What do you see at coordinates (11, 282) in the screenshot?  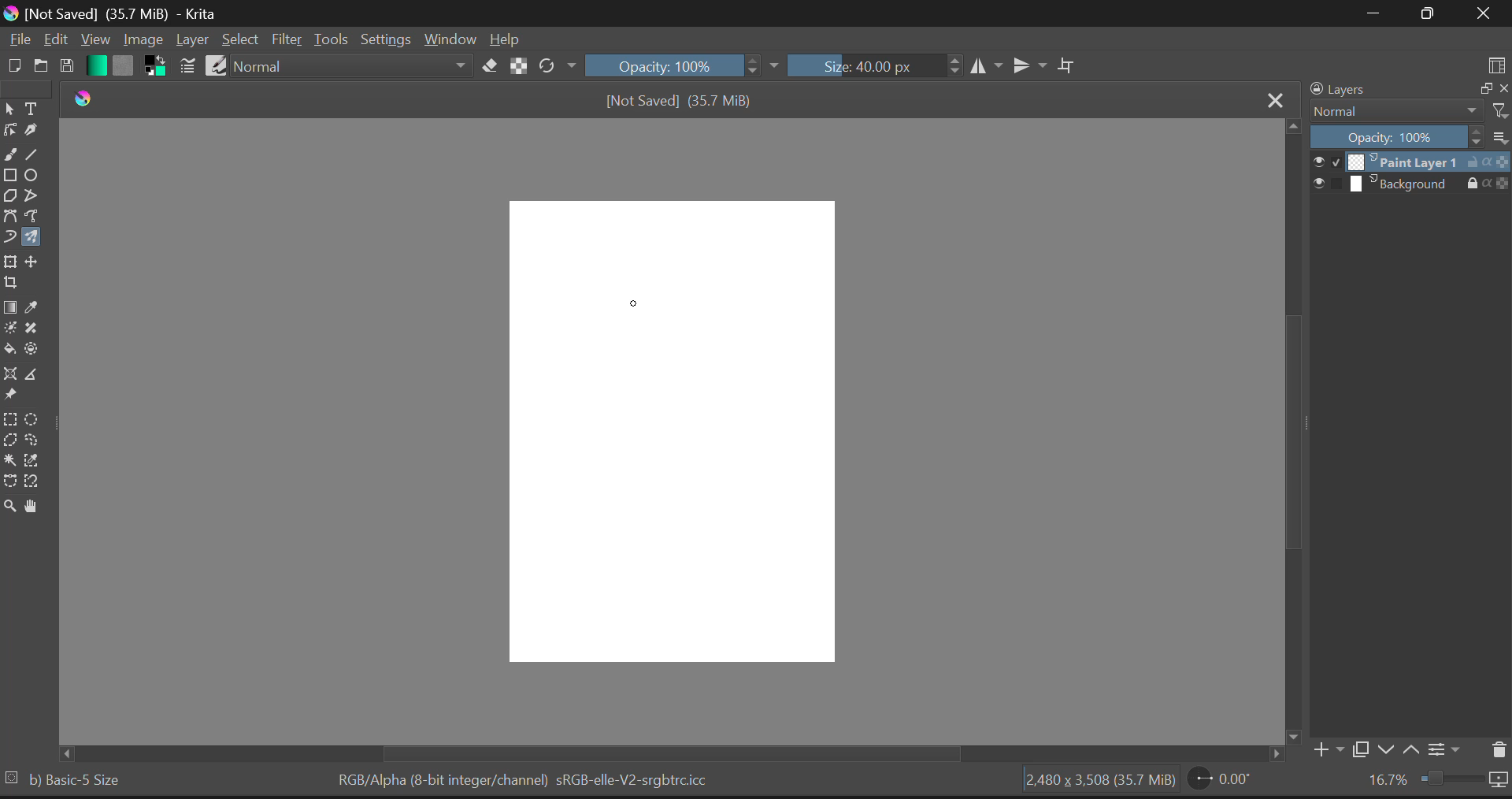 I see `Crop Layer` at bounding box center [11, 282].